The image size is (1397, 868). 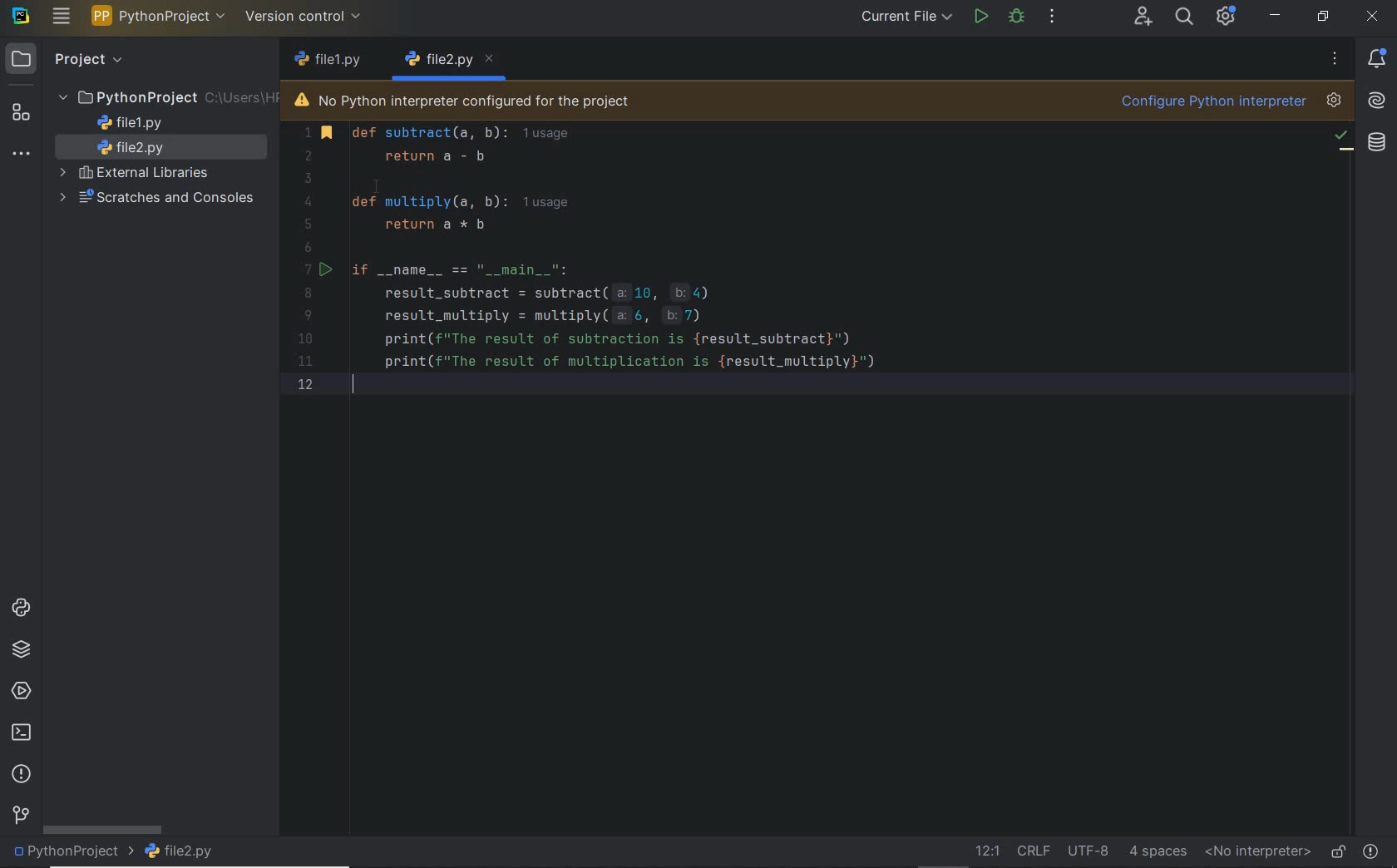 I want to click on no problem, so click(x=1340, y=137).